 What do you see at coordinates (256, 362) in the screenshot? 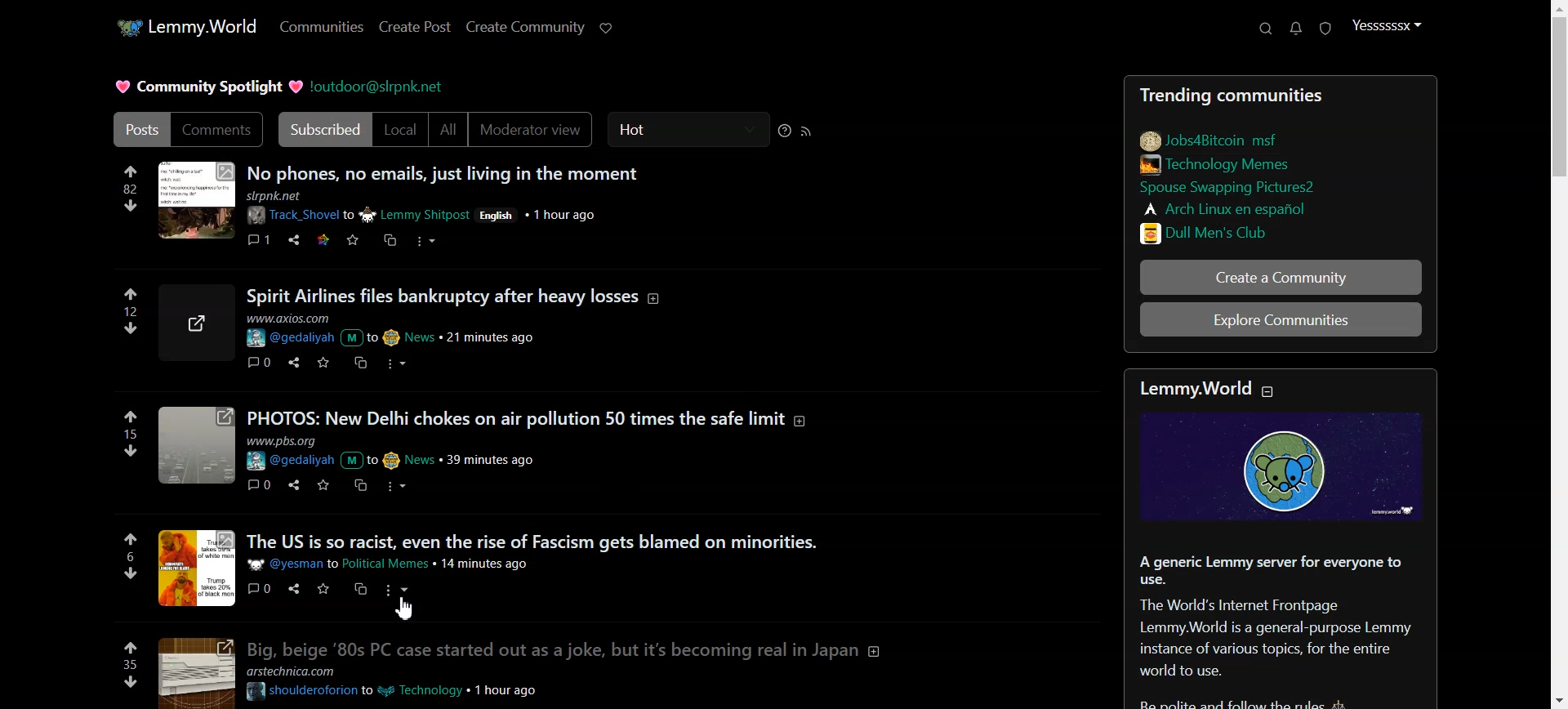
I see `comments` at bounding box center [256, 362].